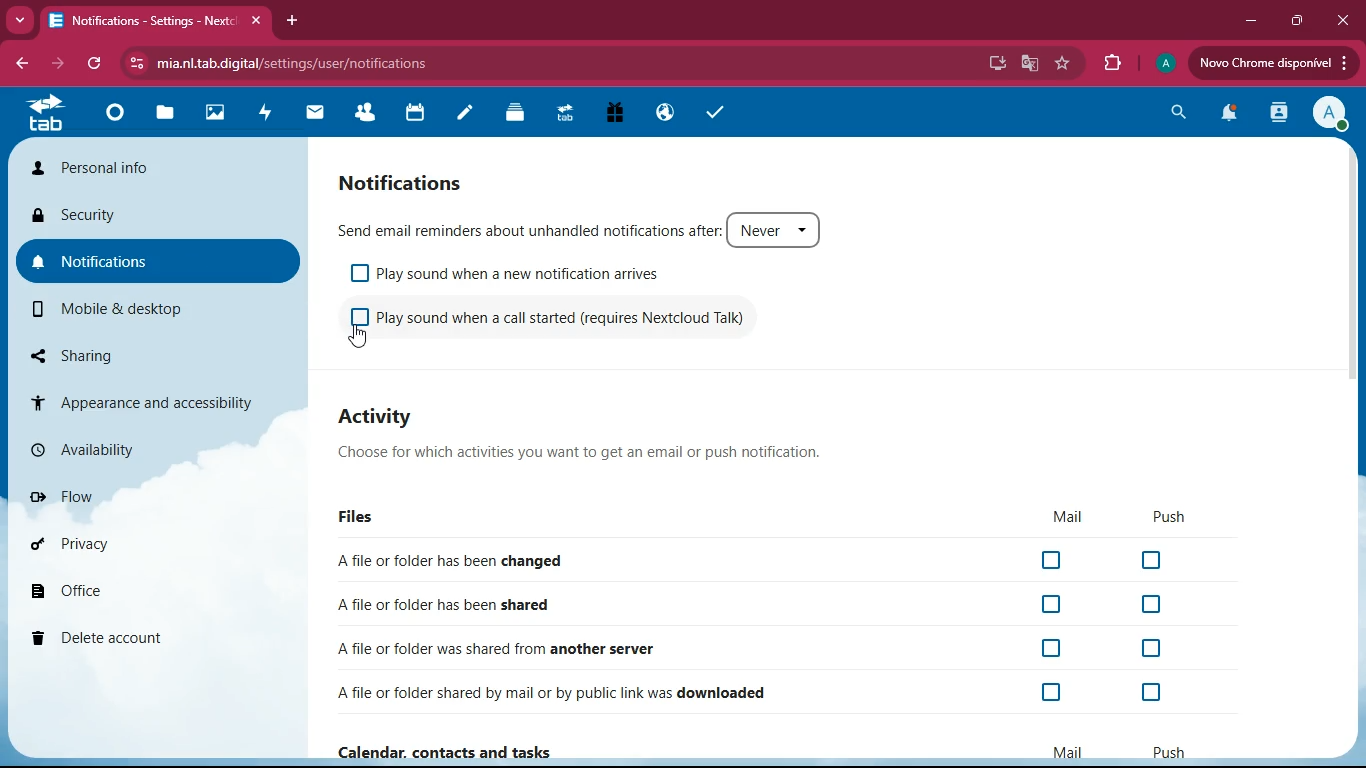 The width and height of the screenshot is (1366, 768). Describe the element at coordinates (1328, 115) in the screenshot. I see `profile` at that location.